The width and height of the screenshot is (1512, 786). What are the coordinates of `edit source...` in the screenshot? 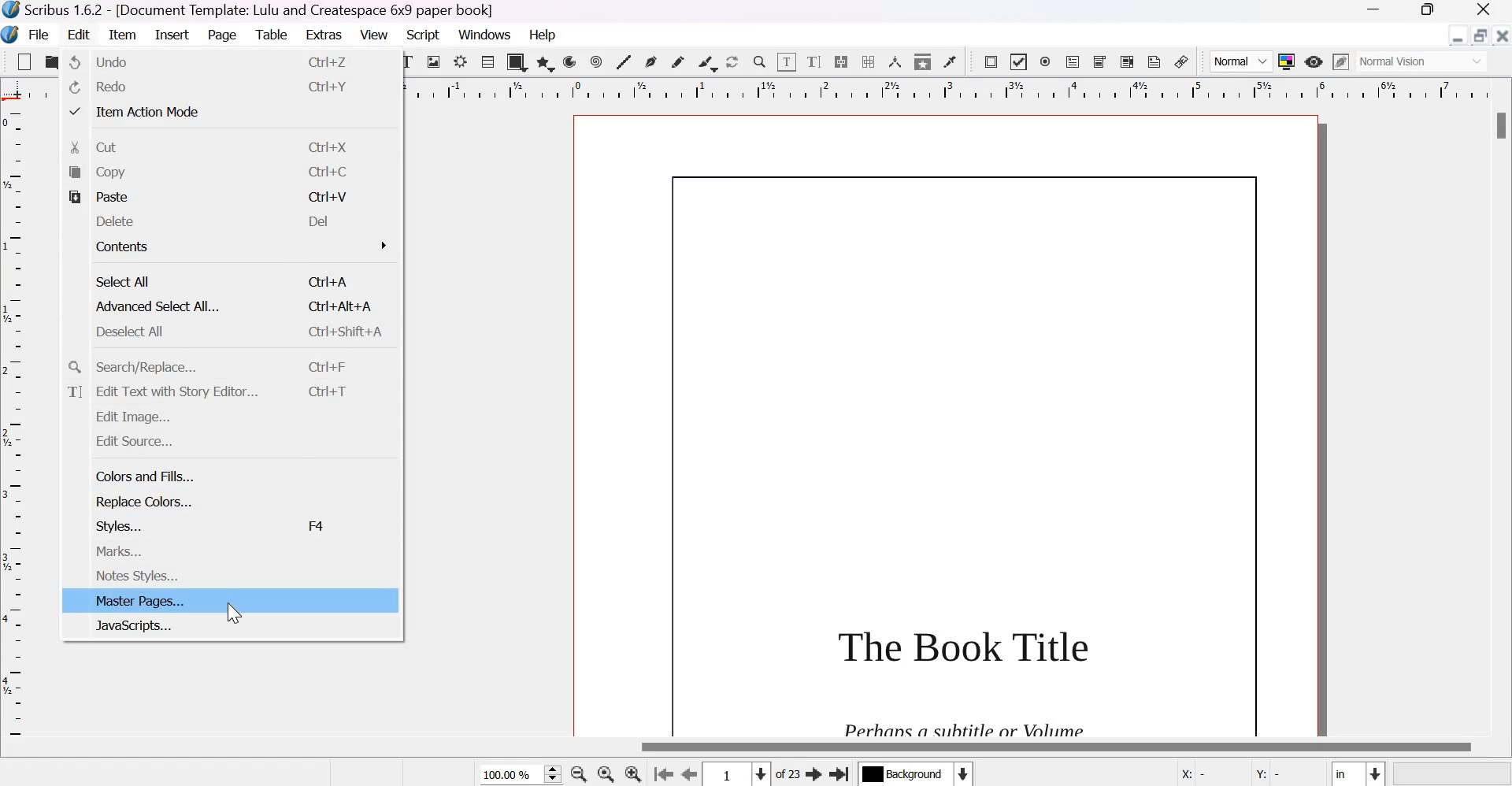 It's located at (138, 443).